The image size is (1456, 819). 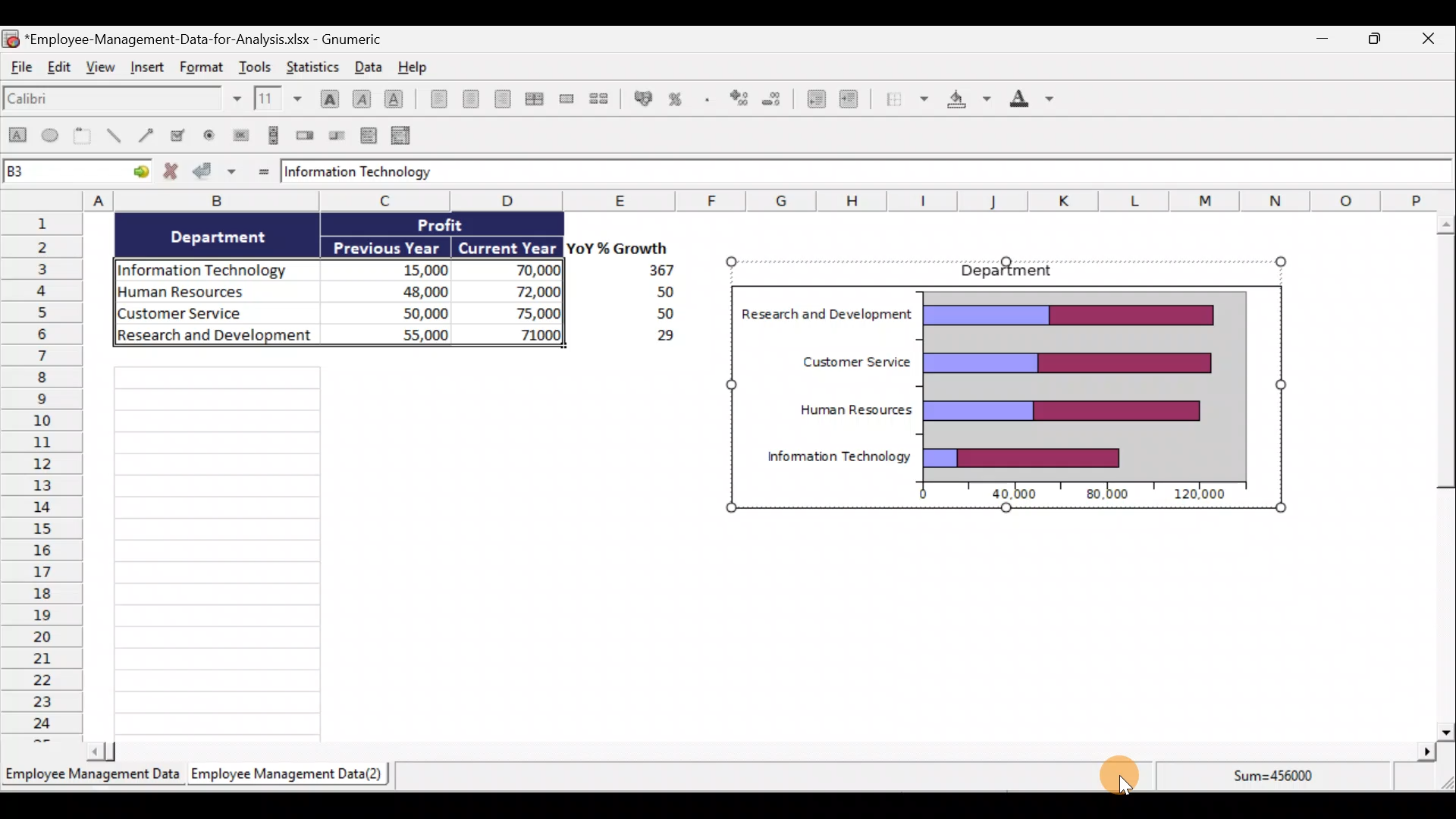 What do you see at coordinates (1103, 495) in the screenshot?
I see `80.000` at bounding box center [1103, 495].